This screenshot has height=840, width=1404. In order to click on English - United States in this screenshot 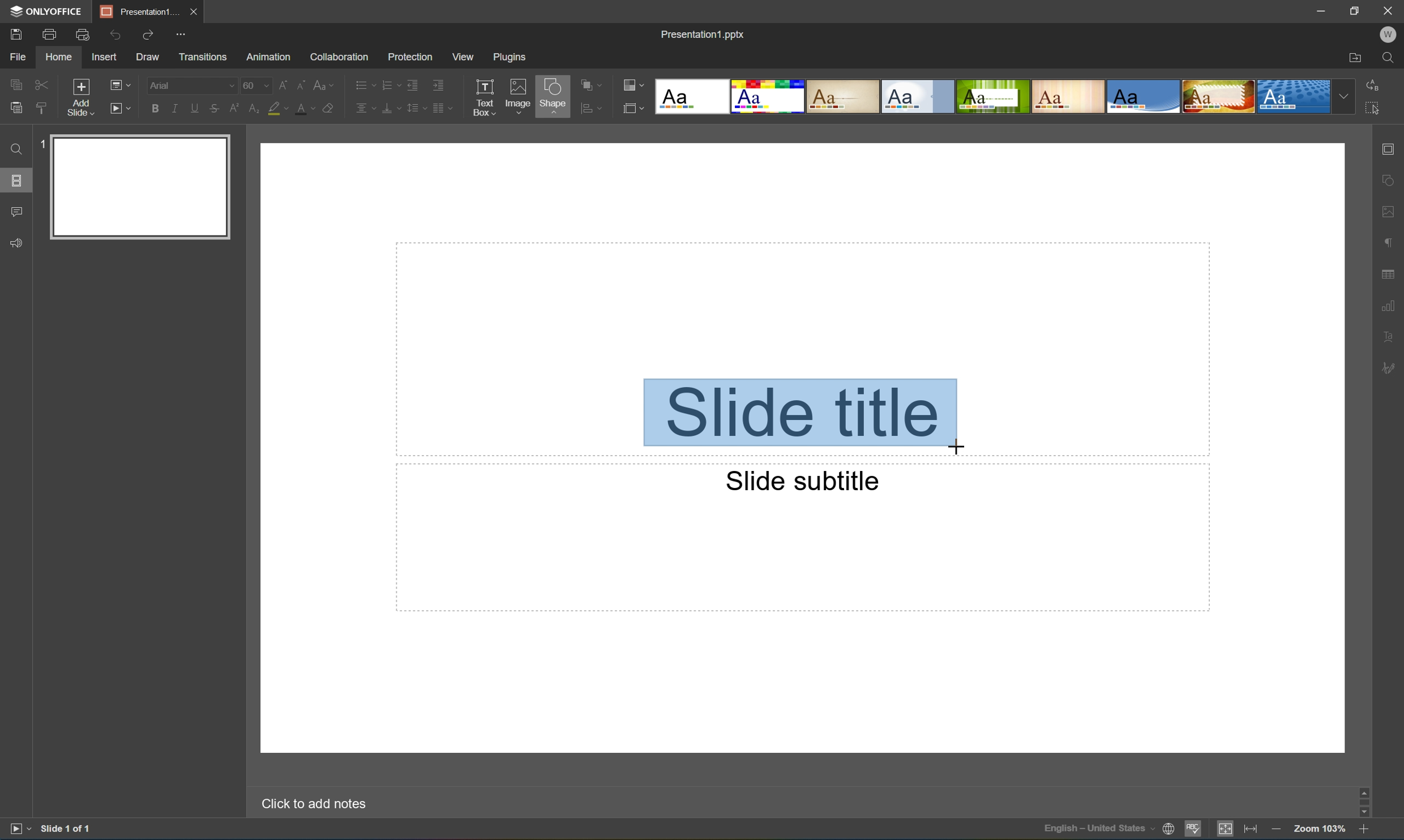, I will do `click(1099, 831)`.